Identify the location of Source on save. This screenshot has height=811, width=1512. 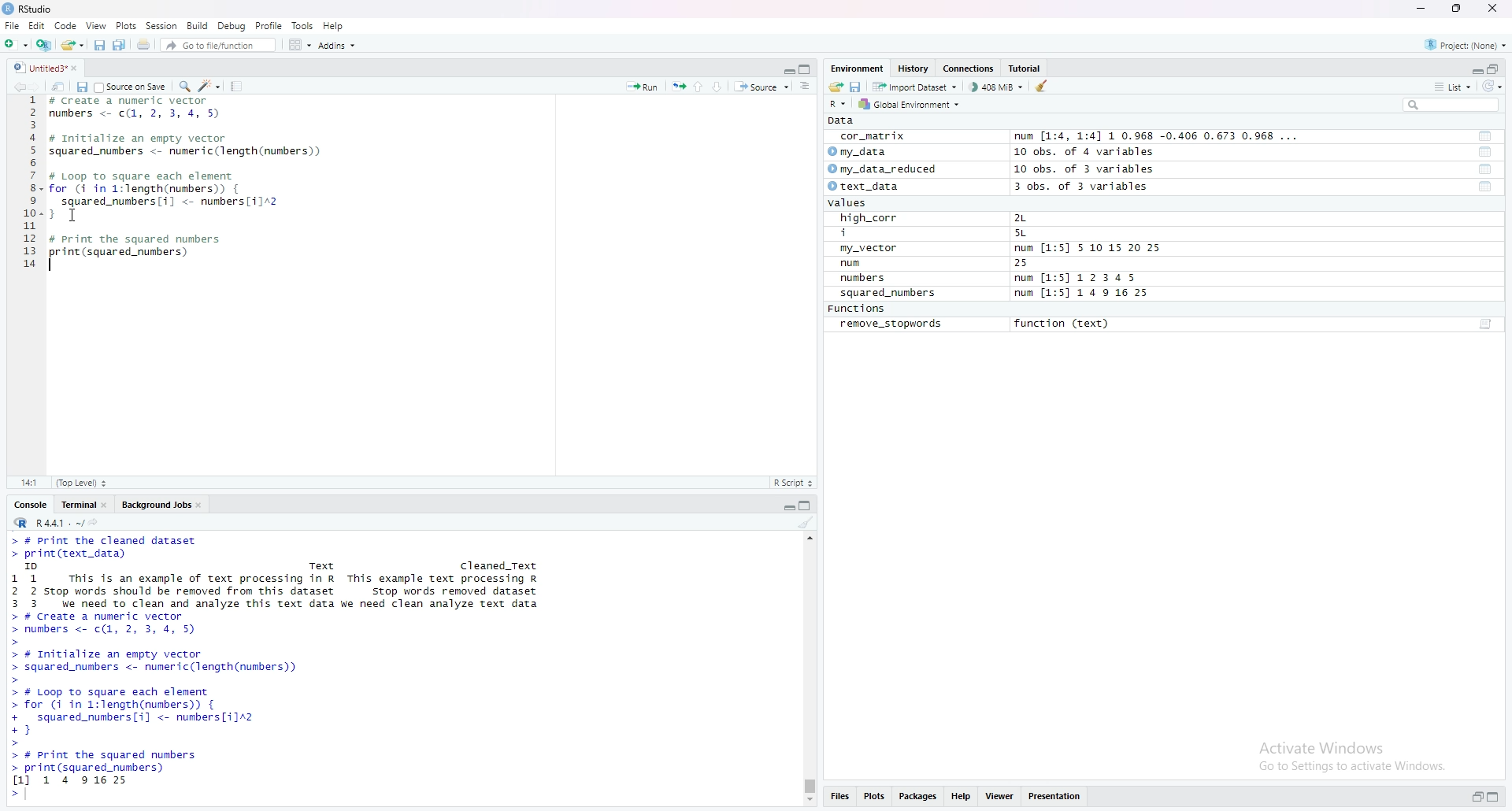
(132, 86).